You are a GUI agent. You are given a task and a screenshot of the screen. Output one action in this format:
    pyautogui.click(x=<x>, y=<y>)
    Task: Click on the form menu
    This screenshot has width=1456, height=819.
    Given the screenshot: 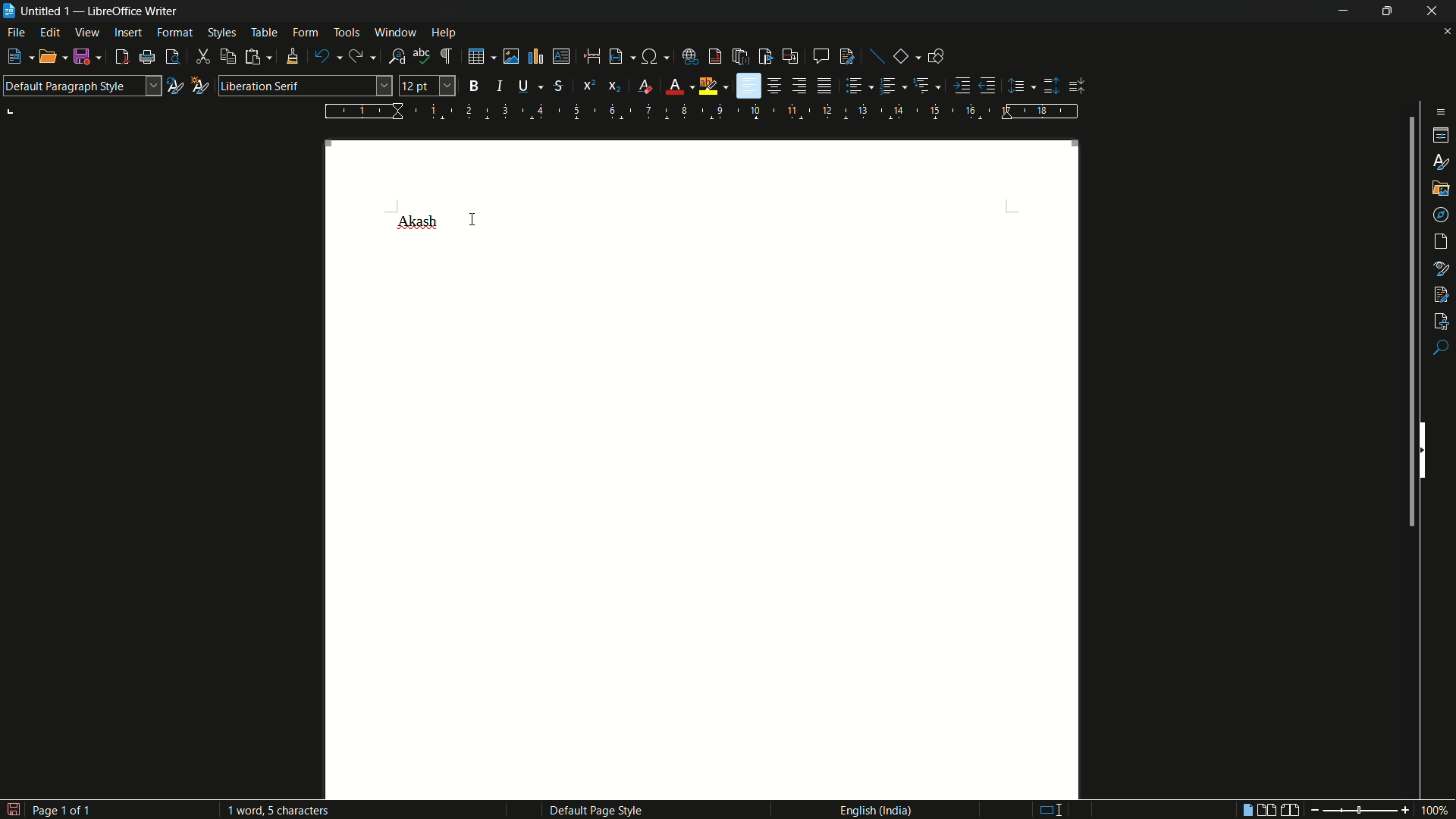 What is the action you would take?
    pyautogui.click(x=305, y=32)
    